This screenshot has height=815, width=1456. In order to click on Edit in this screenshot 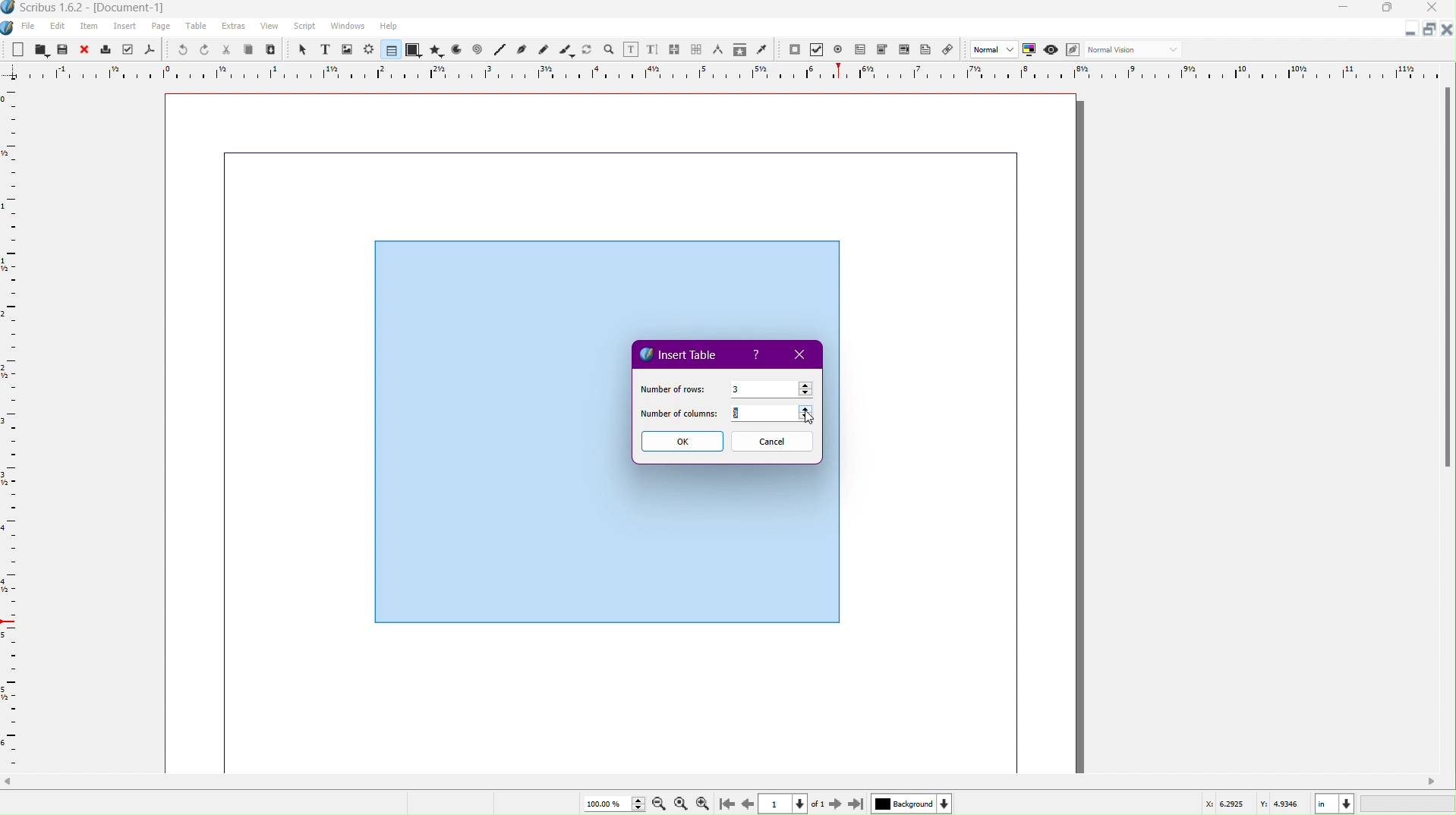, I will do `click(57, 26)`.